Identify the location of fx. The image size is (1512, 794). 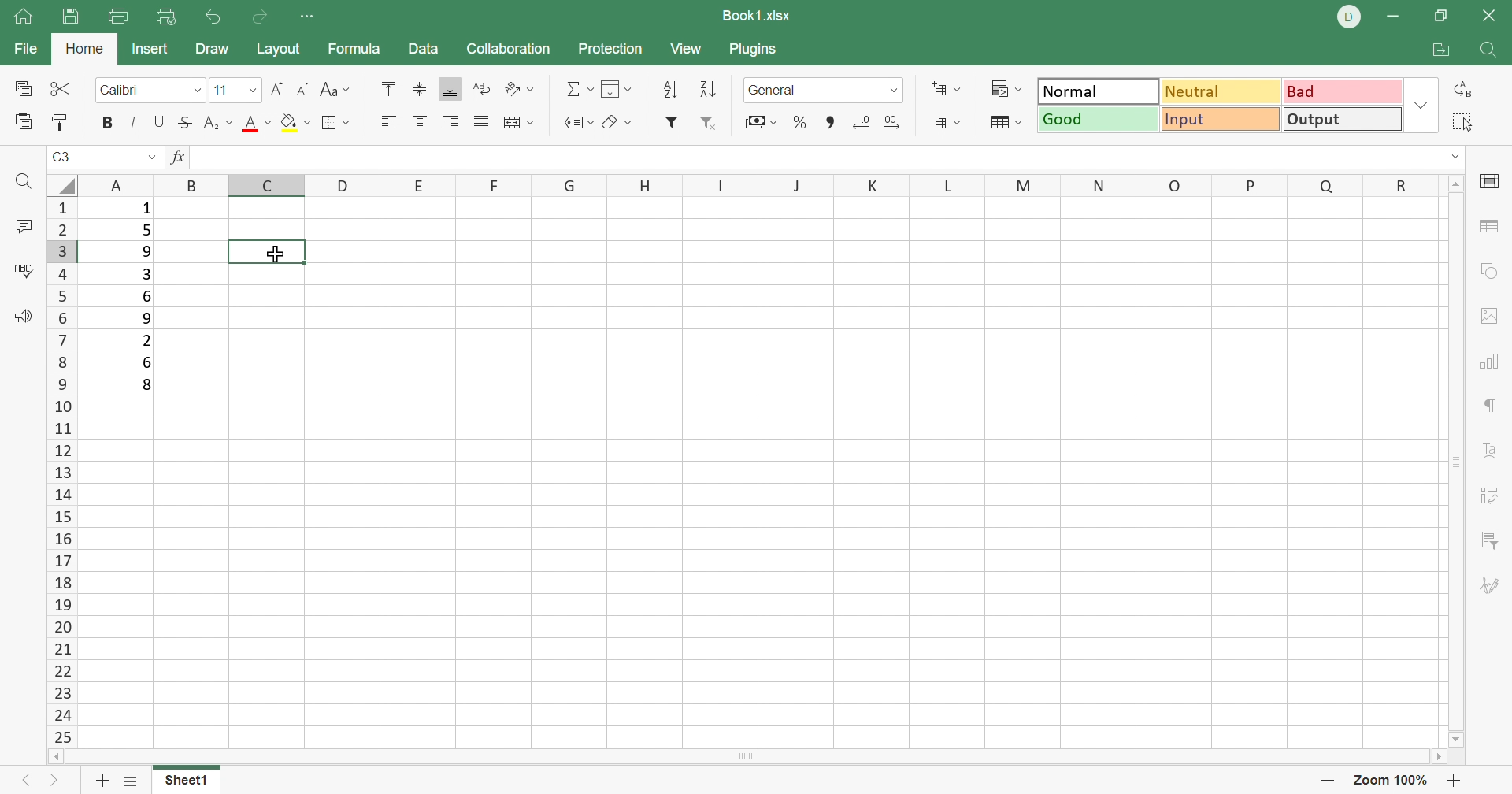
(178, 155).